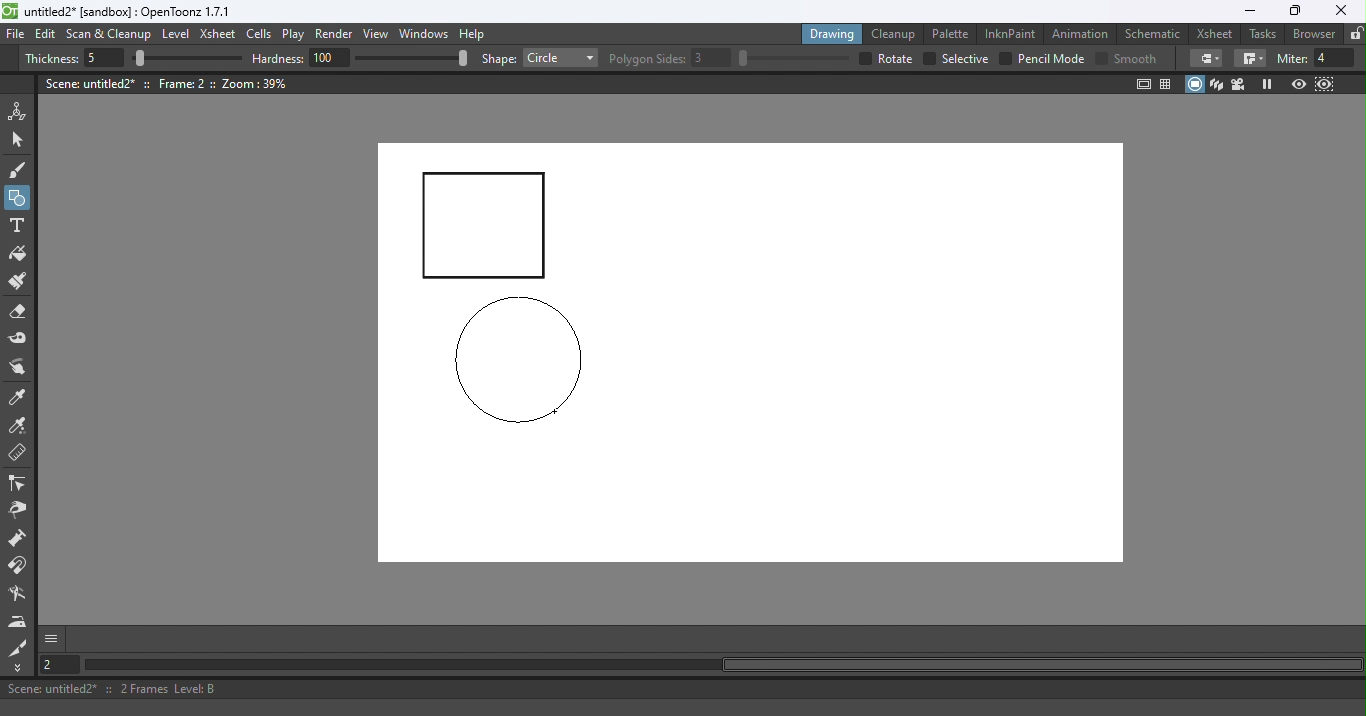 This screenshot has width=1366, height=716. I want to click on Geometric tool, so click(19, 198).